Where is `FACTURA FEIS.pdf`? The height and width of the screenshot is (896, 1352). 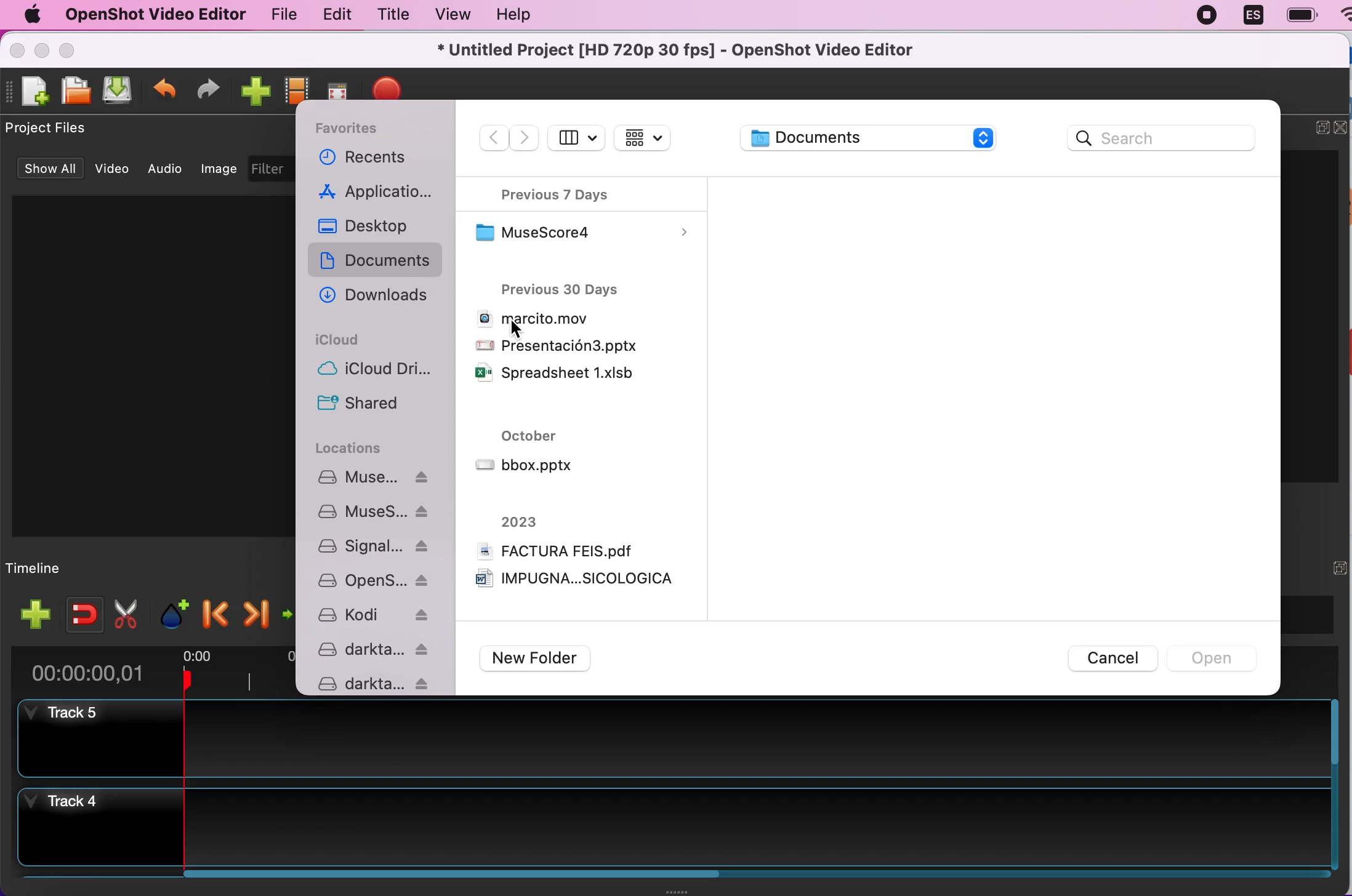 FACTURA FEIS.pdf is located at coordinates (555, 550).